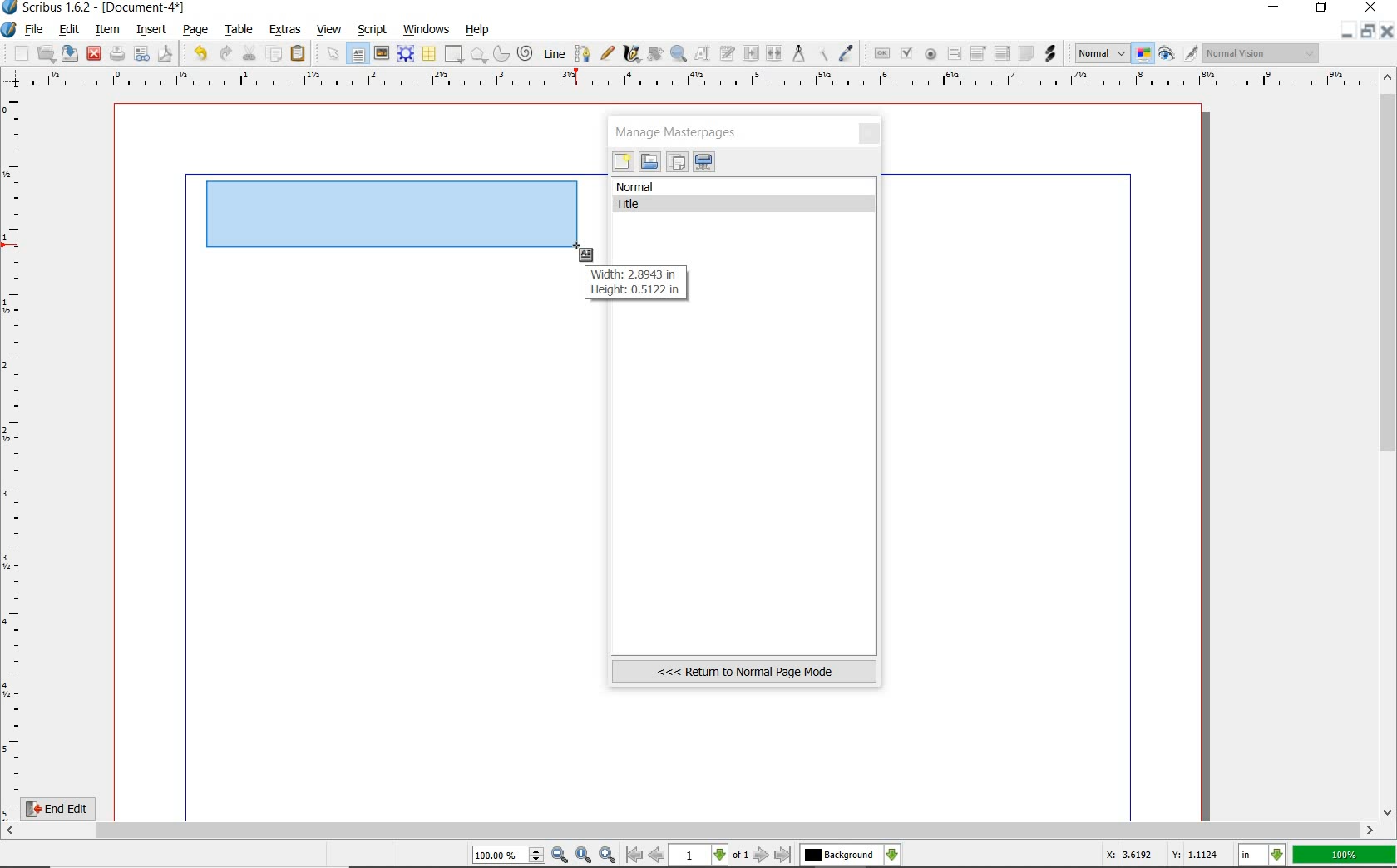 The image size is (1397, 868). I want to click on of 1, so click(740, 856).